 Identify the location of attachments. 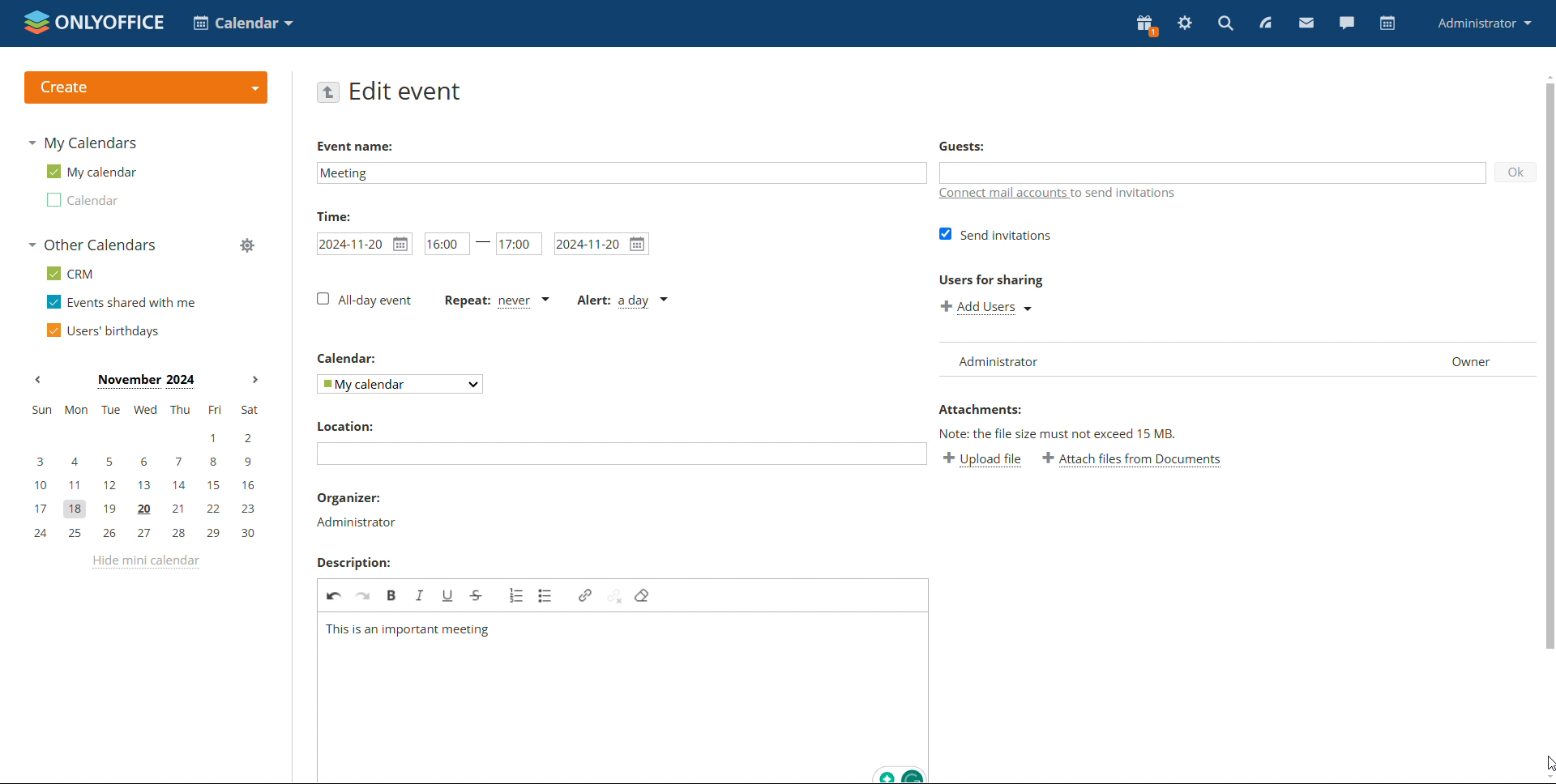
(981, 411).